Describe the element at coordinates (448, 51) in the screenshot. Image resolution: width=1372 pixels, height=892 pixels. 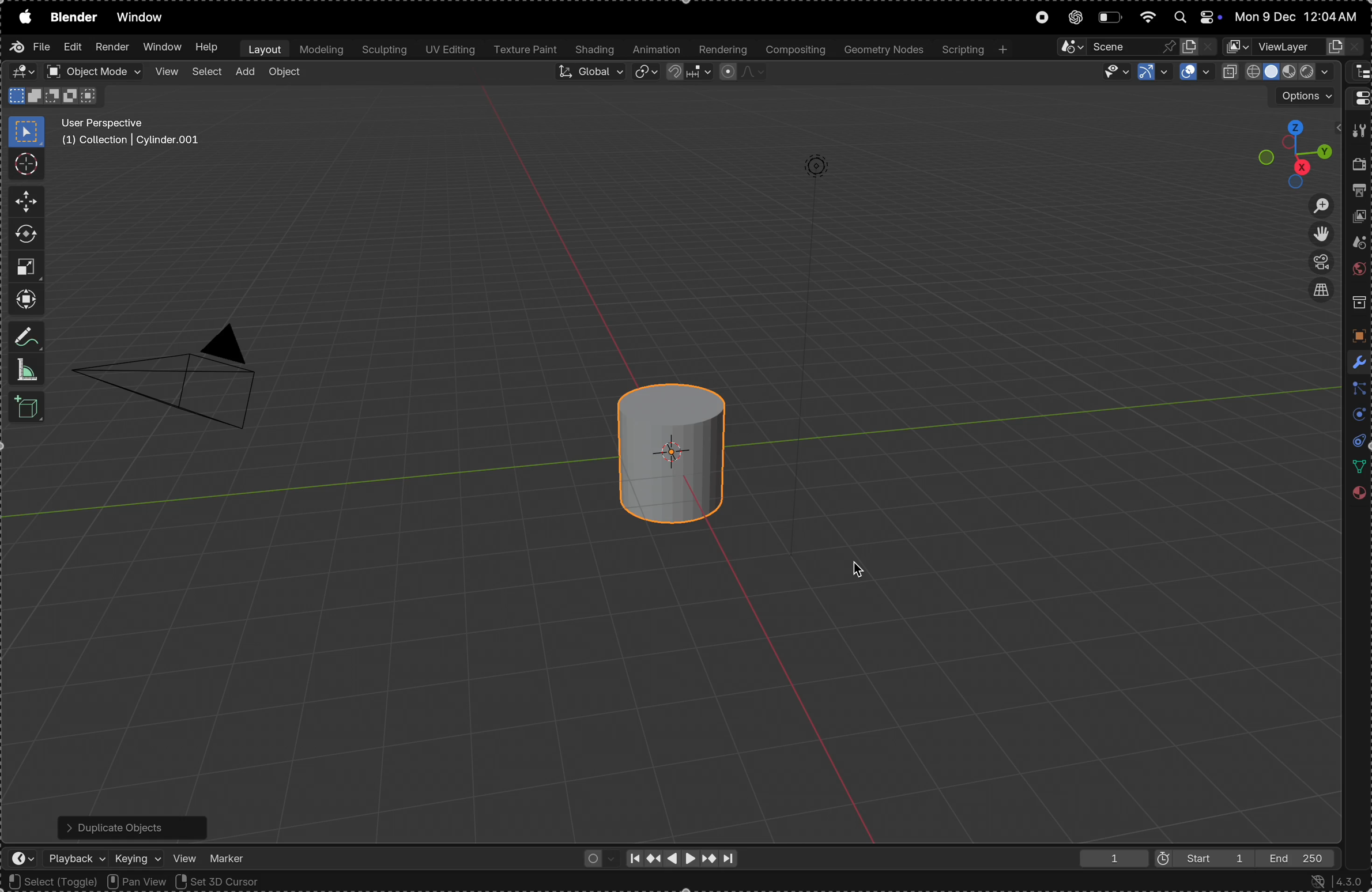
I see `uv editing` at that location.